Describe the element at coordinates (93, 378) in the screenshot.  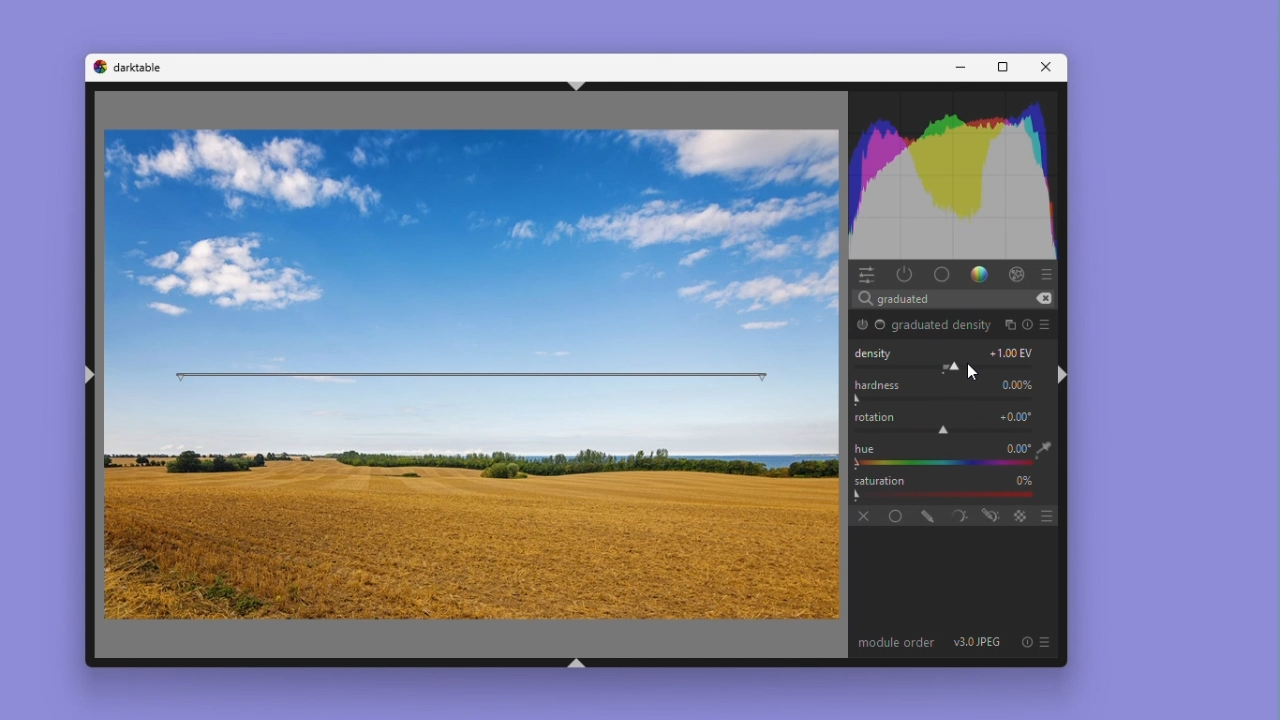
I see `shift+ctrl+l` at that location.